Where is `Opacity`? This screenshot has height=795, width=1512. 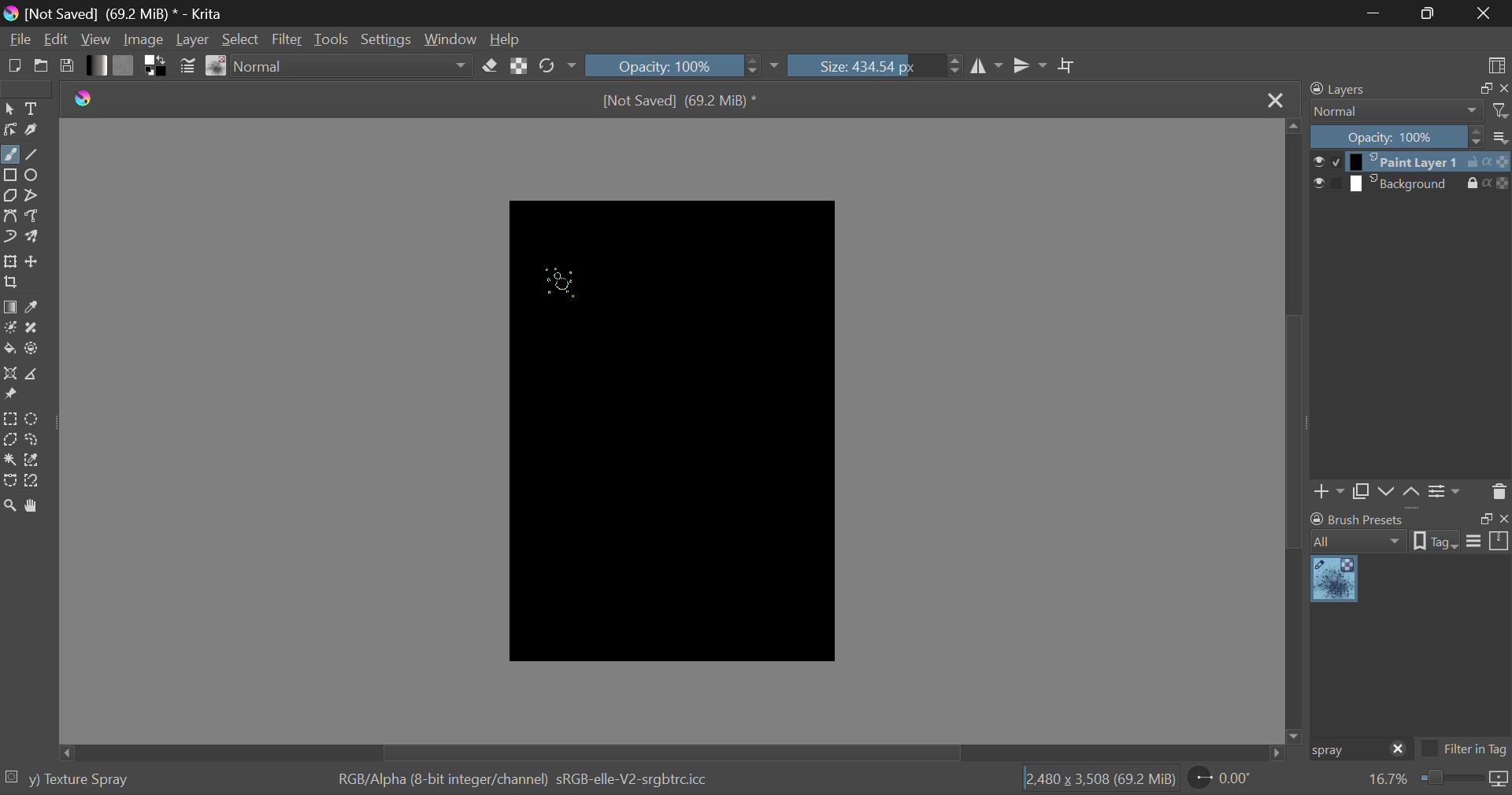 Opacity is located at coordinates (684, 65).